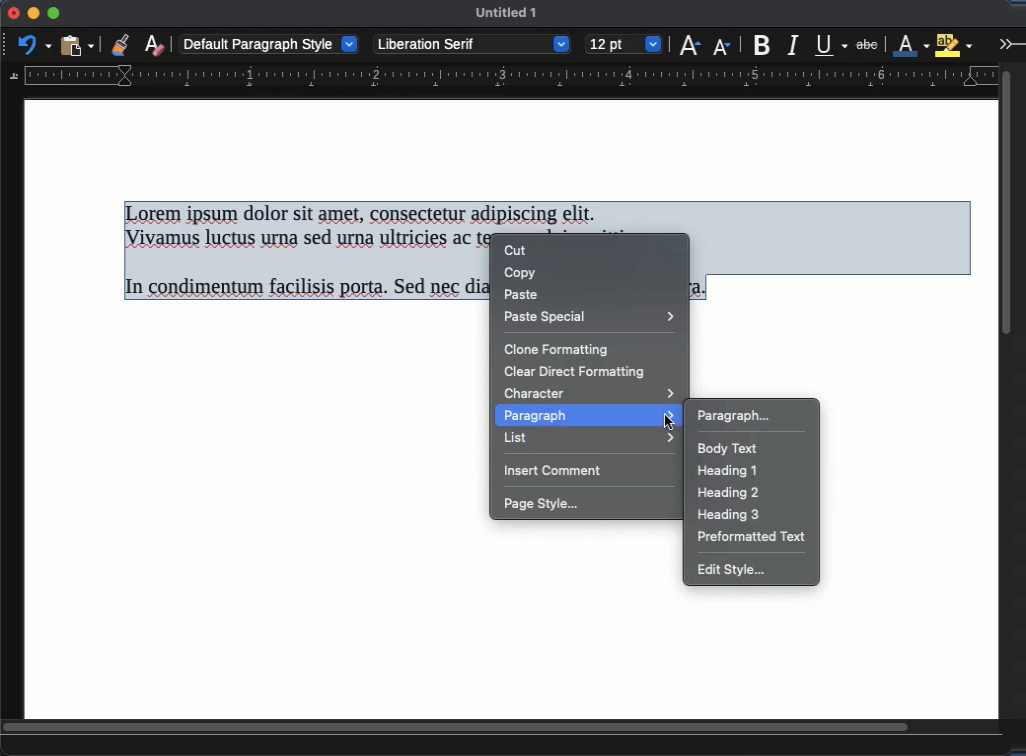  Describe the element at coordinates (305, 253) in the screenshot. I see `Here is the transcription of the text:  ---  Lorem ipsum dolor sit amet, consectetur adipiscing elit.   Vivamus luctus urna sed urna ultricies ac tempor dui sagittis.    In condimentum facilisis porta. Sed nec diam eu diam mattis viverra.` at that location.